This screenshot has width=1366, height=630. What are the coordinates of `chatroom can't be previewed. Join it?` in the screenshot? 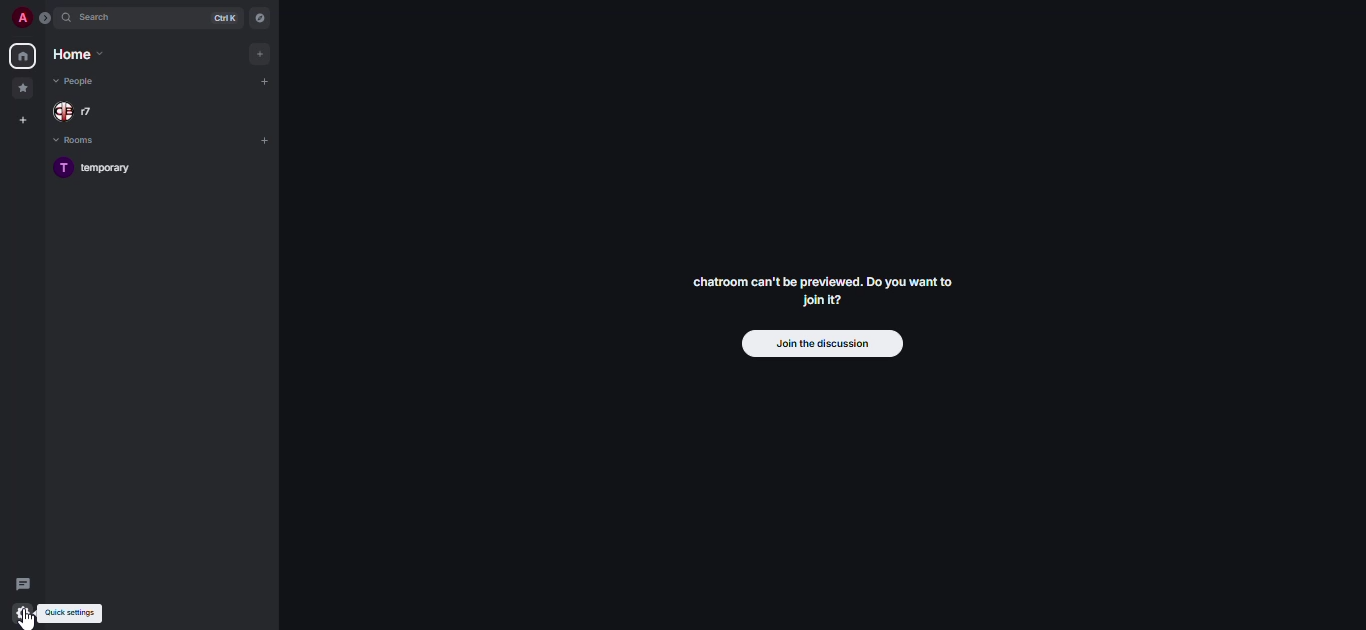 It's located at (821, 290).